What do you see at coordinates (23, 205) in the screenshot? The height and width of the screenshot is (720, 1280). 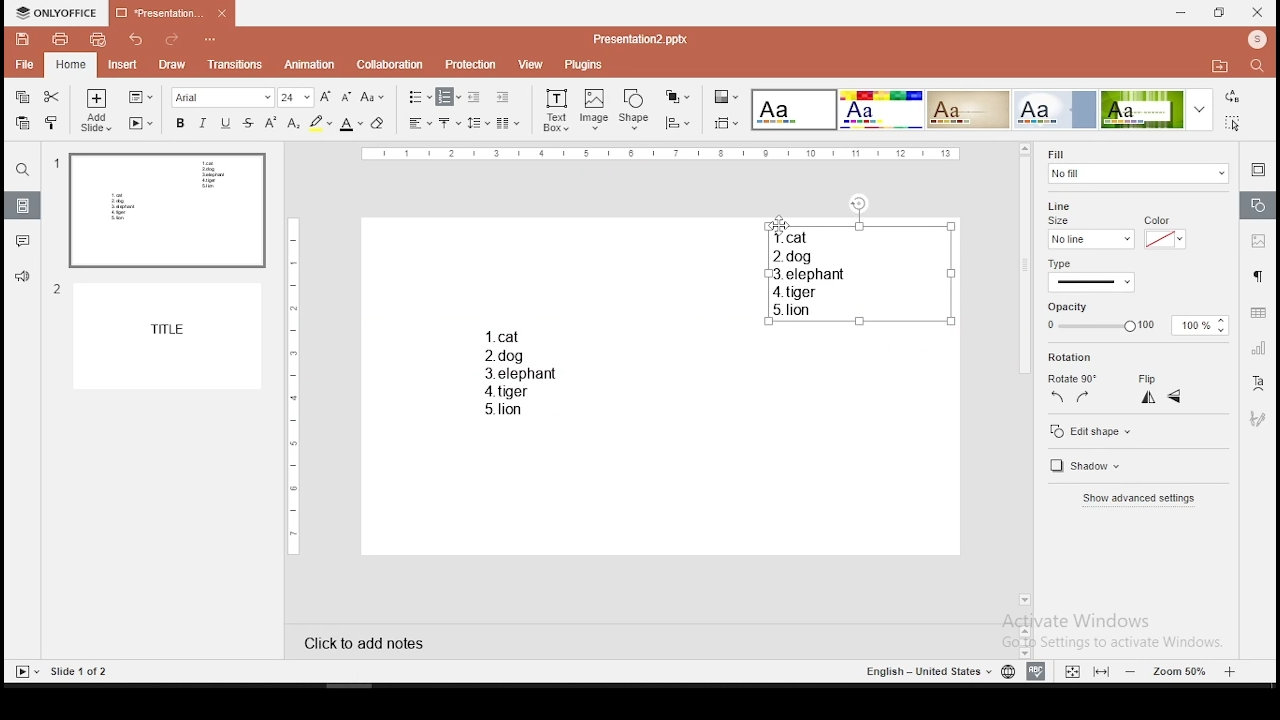 I see `slides` at bounding box center [23, 205].